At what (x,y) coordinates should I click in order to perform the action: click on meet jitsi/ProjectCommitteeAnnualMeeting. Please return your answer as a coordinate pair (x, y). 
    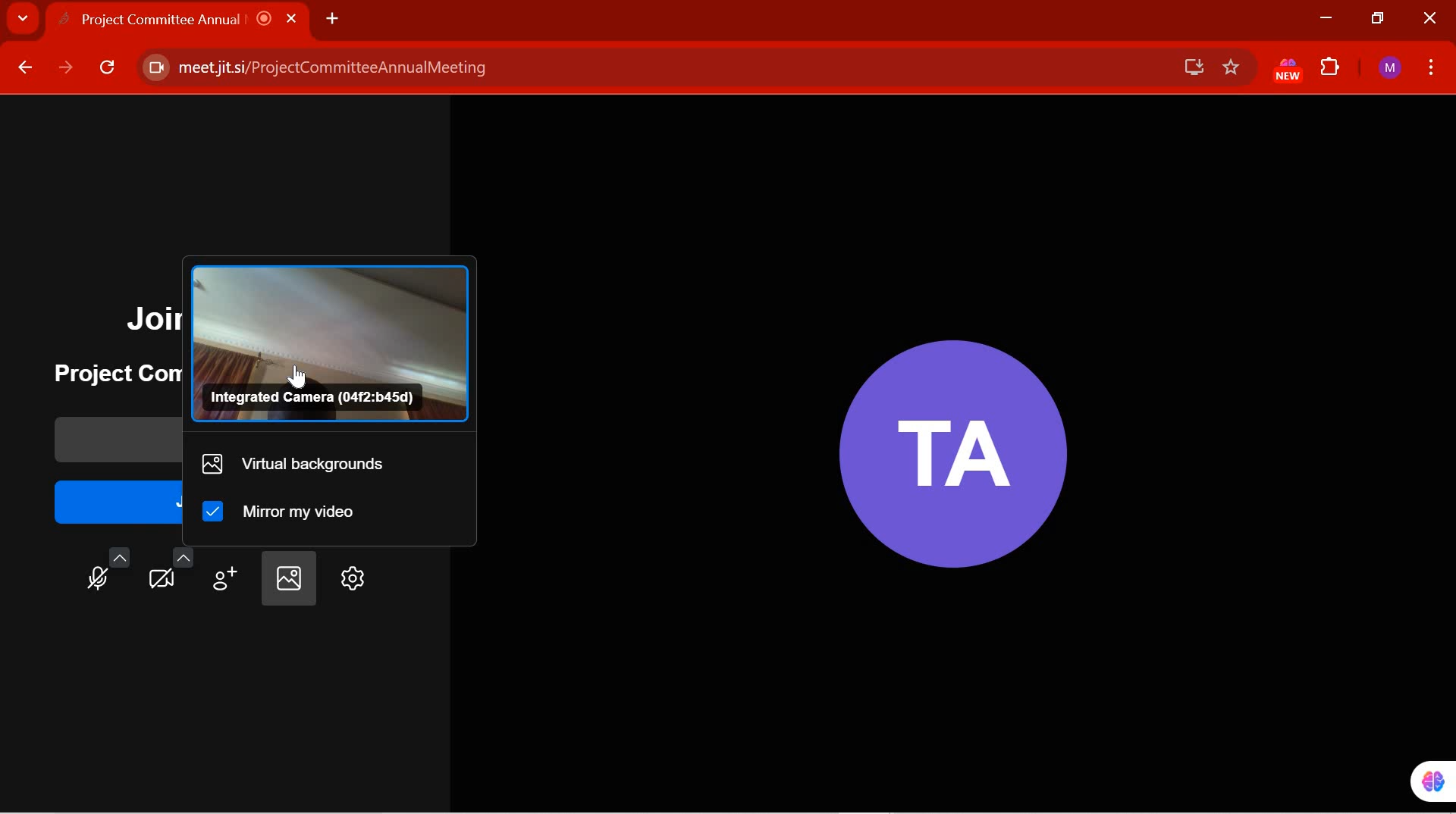
    Looking at the image, I should click on (647, 68).